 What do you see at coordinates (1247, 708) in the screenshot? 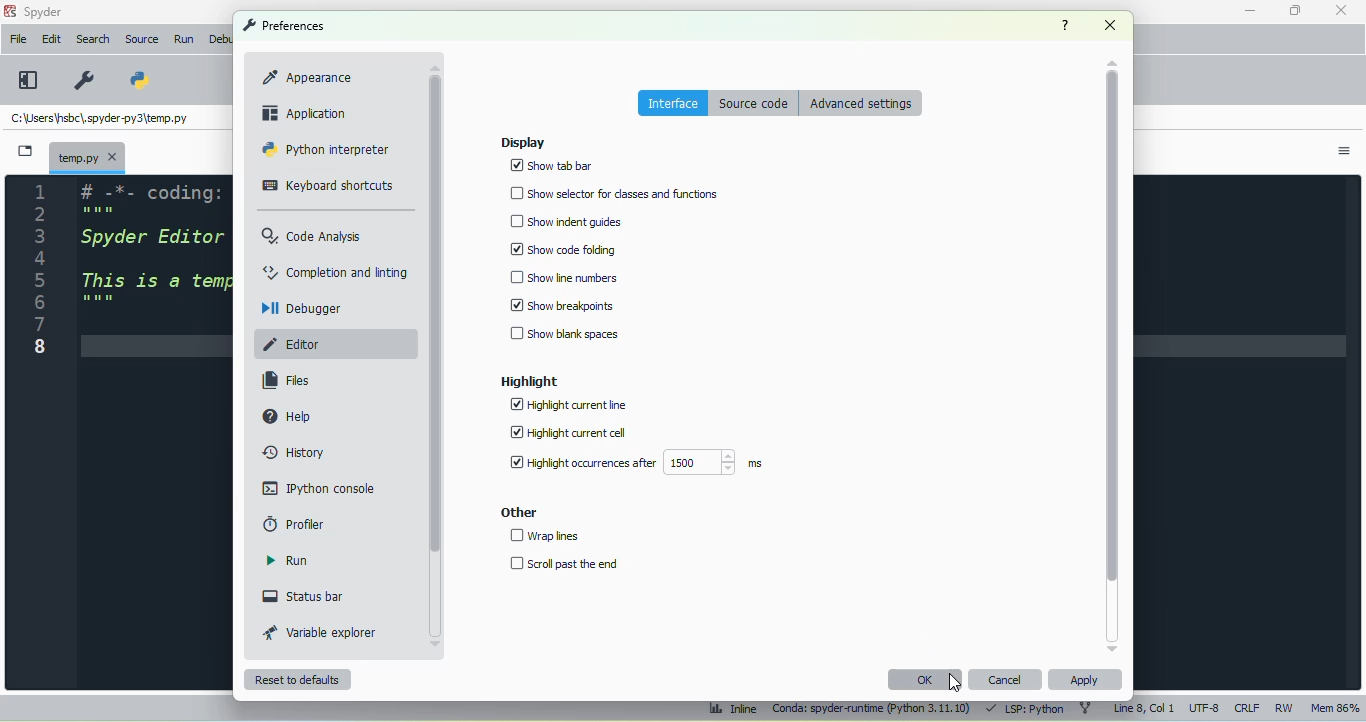
I see `CRLF` at bounding box center [1247, 708].